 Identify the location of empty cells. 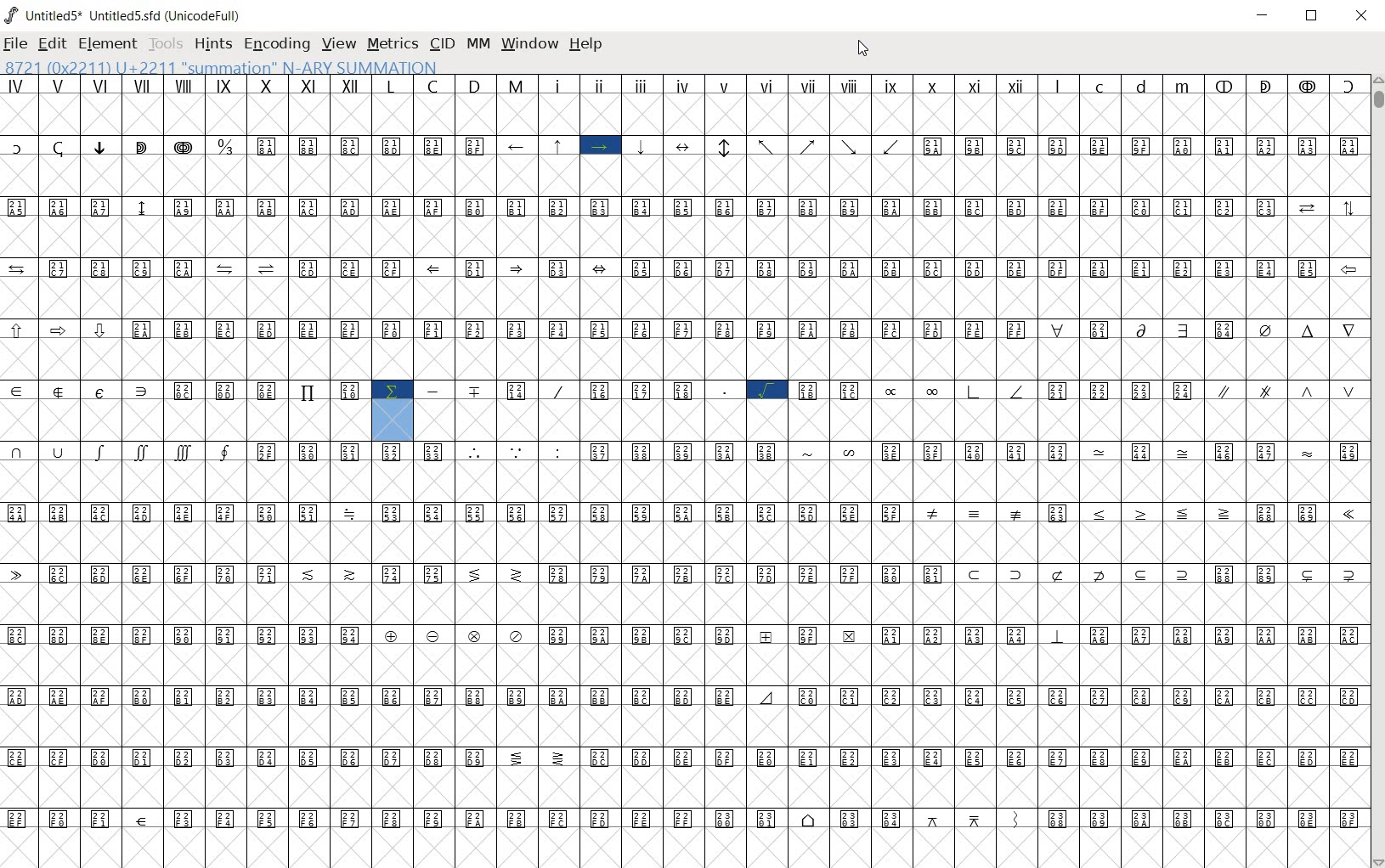
(687, 724).